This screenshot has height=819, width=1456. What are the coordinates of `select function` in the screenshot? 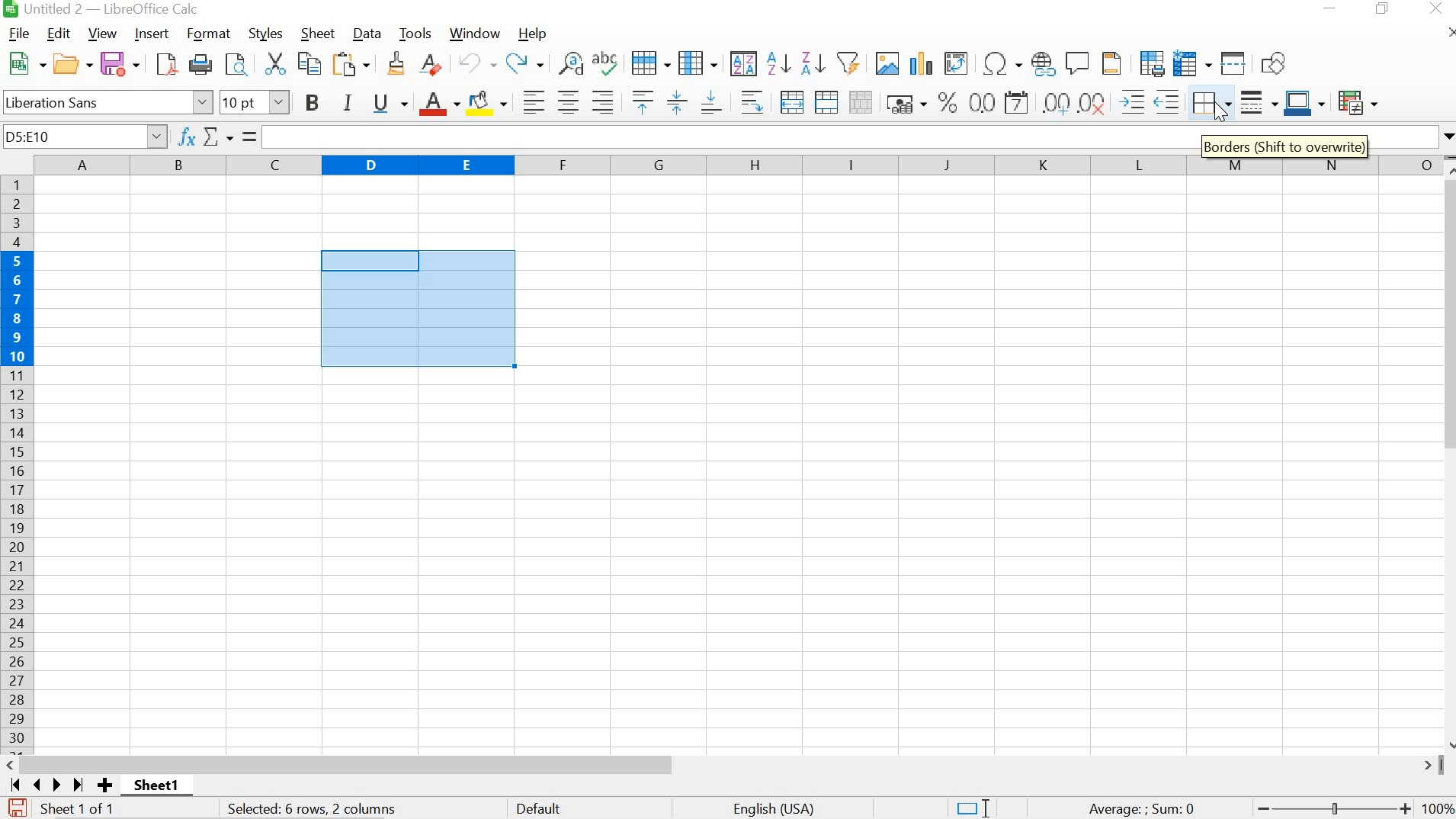 It's located at (229, 136).